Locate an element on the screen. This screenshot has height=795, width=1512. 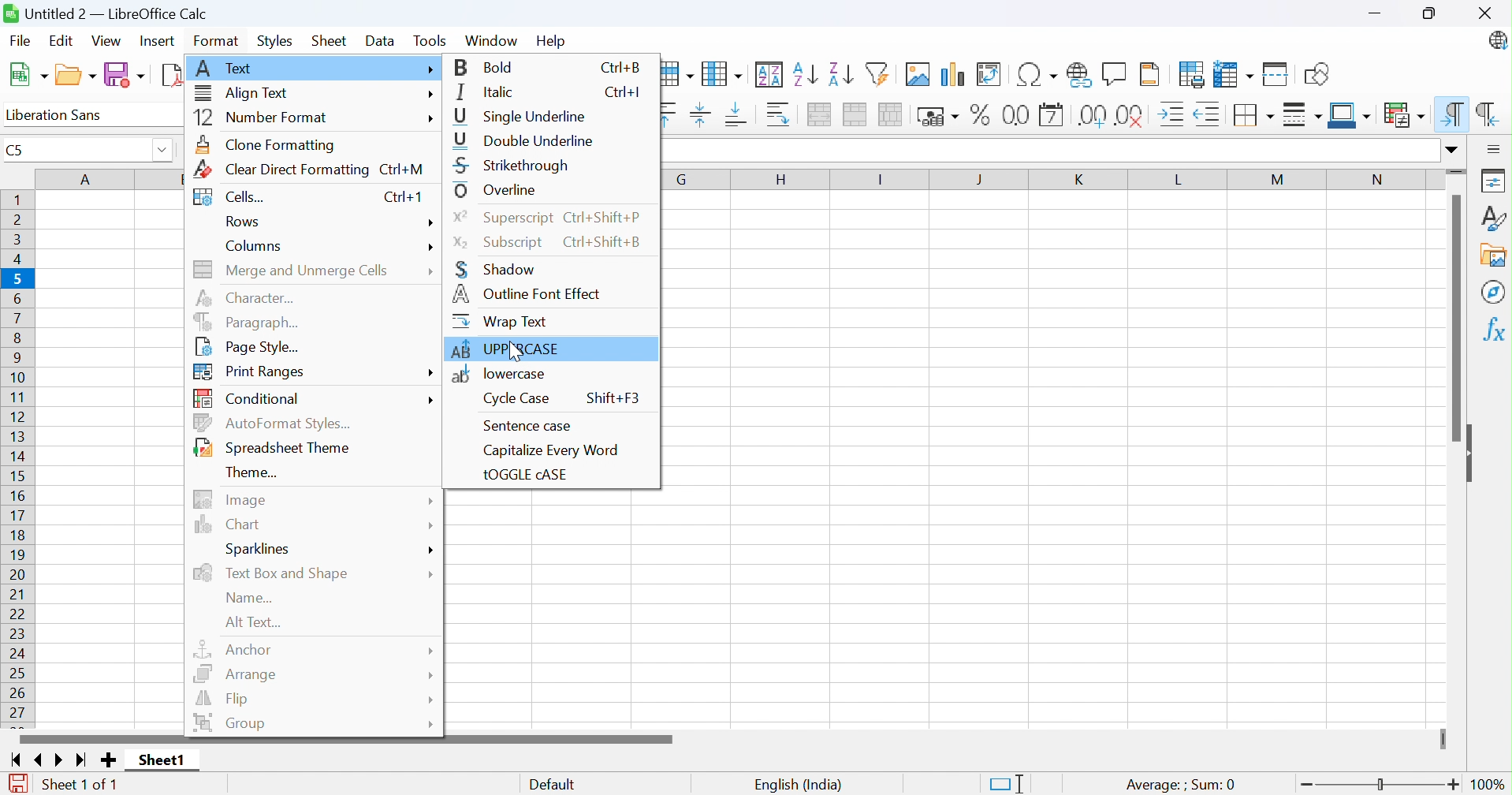
Insert special characters is located at coordinates (1037, 74).